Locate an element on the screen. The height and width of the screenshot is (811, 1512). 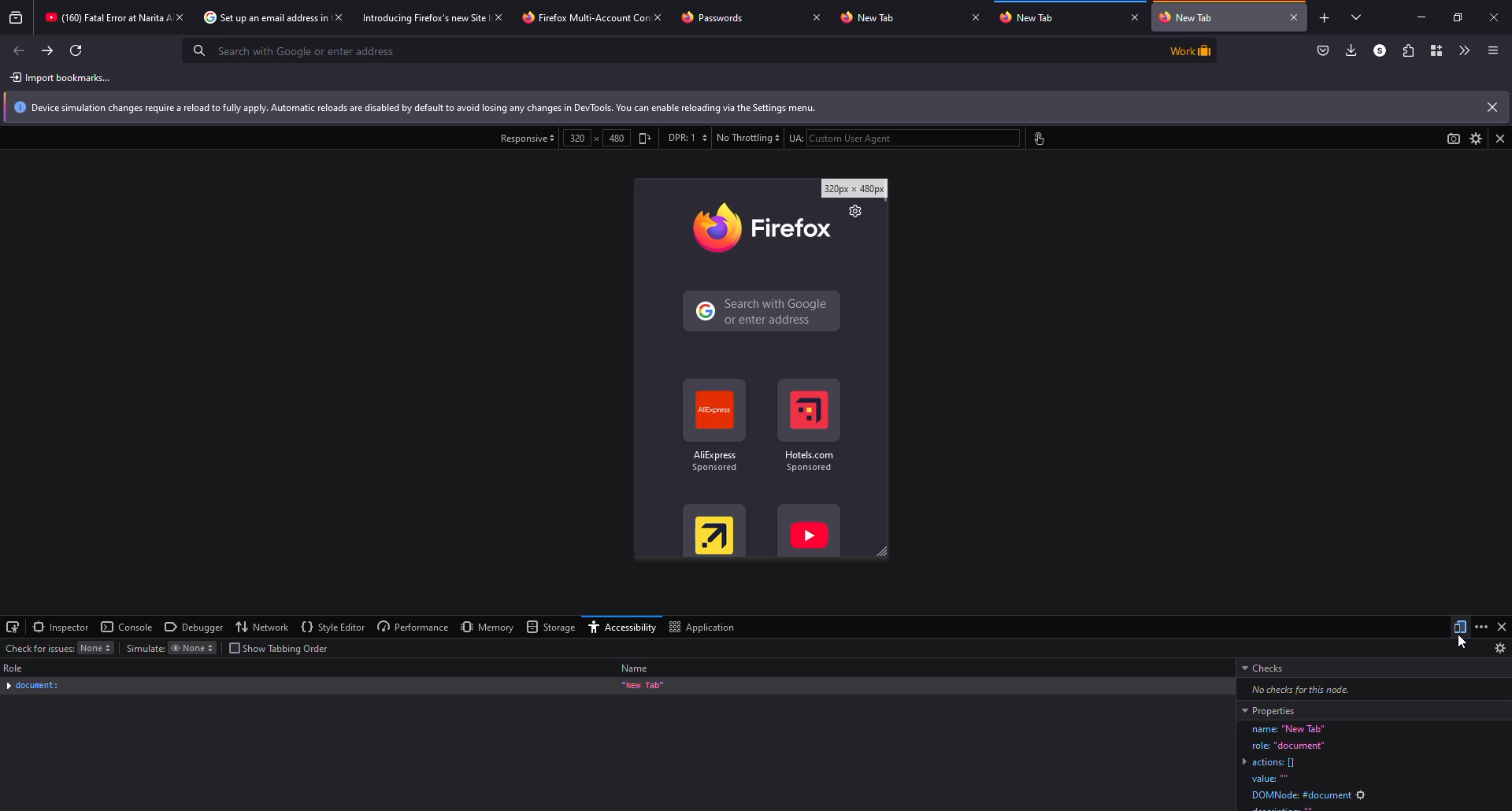
tab is located at coordinates (1217, 17).